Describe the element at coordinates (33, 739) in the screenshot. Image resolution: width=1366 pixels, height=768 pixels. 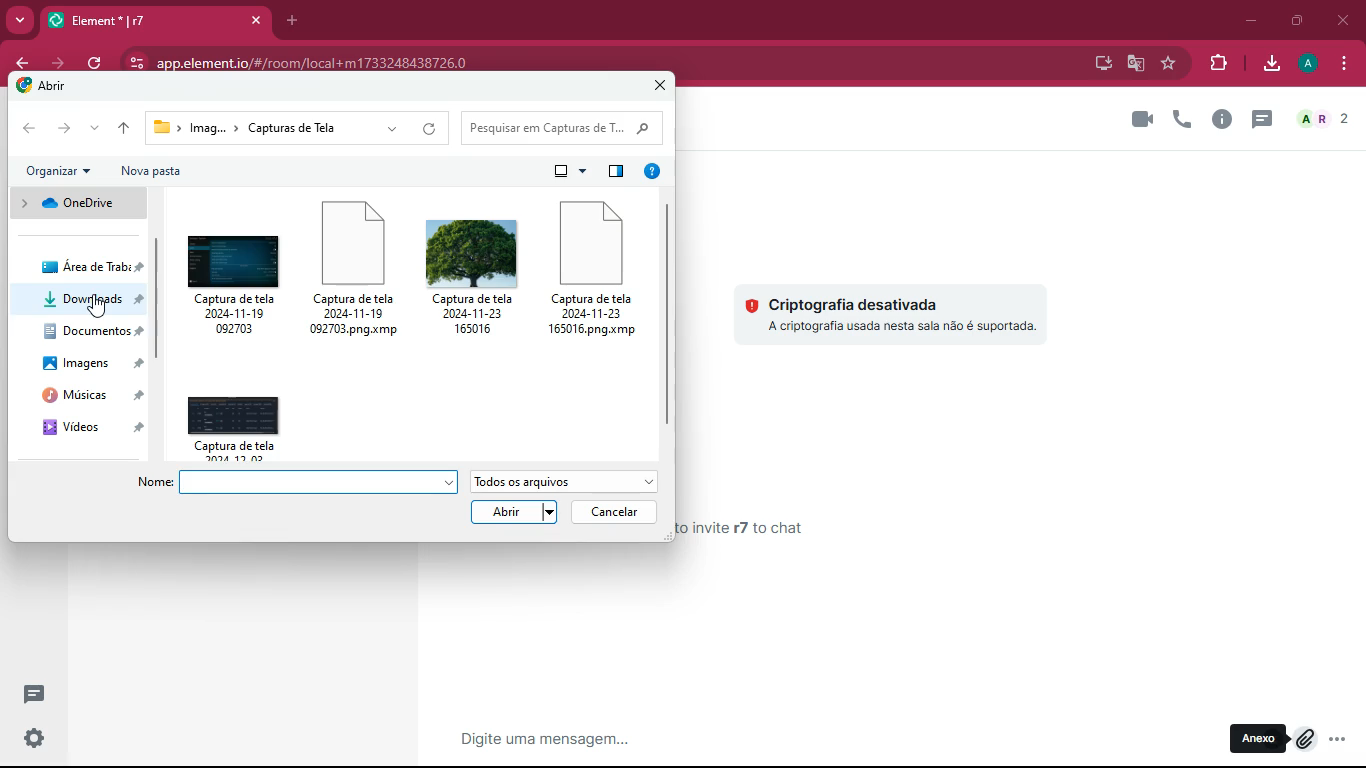
I see `settings` at that location.